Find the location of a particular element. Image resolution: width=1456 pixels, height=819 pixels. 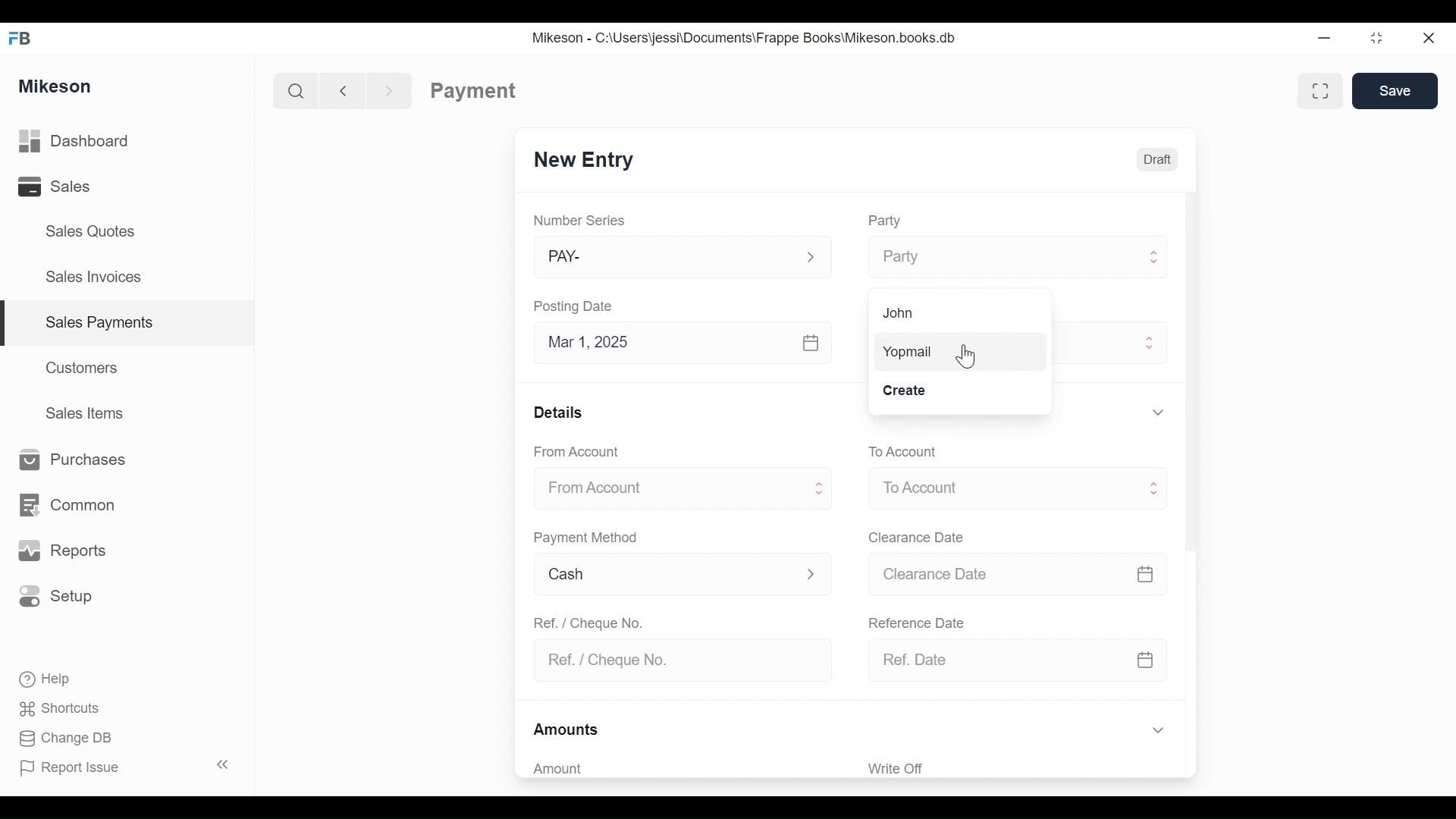

Collapse is located at coordinates (226, 766).